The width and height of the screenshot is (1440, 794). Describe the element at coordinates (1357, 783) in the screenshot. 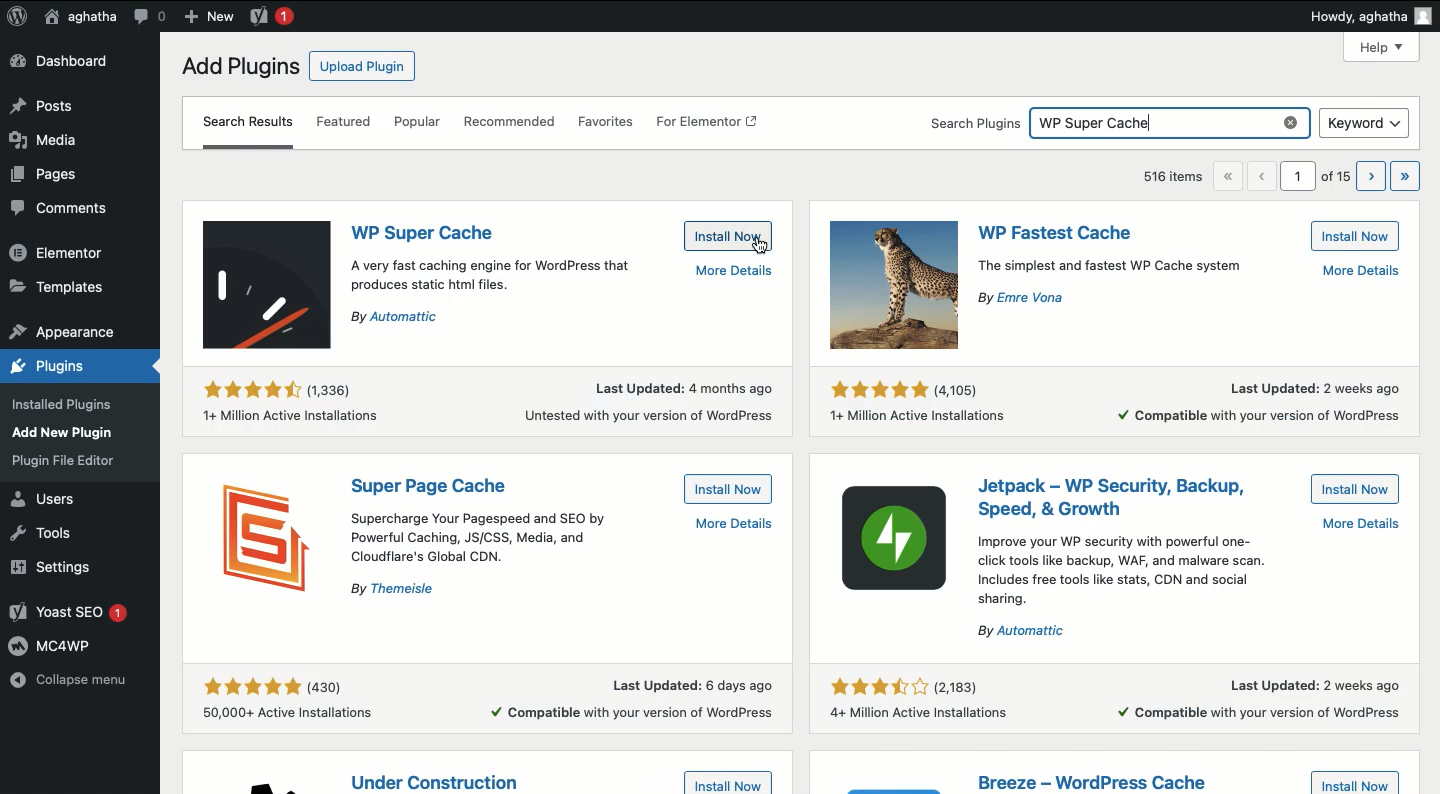

I see `Install now` at that location.